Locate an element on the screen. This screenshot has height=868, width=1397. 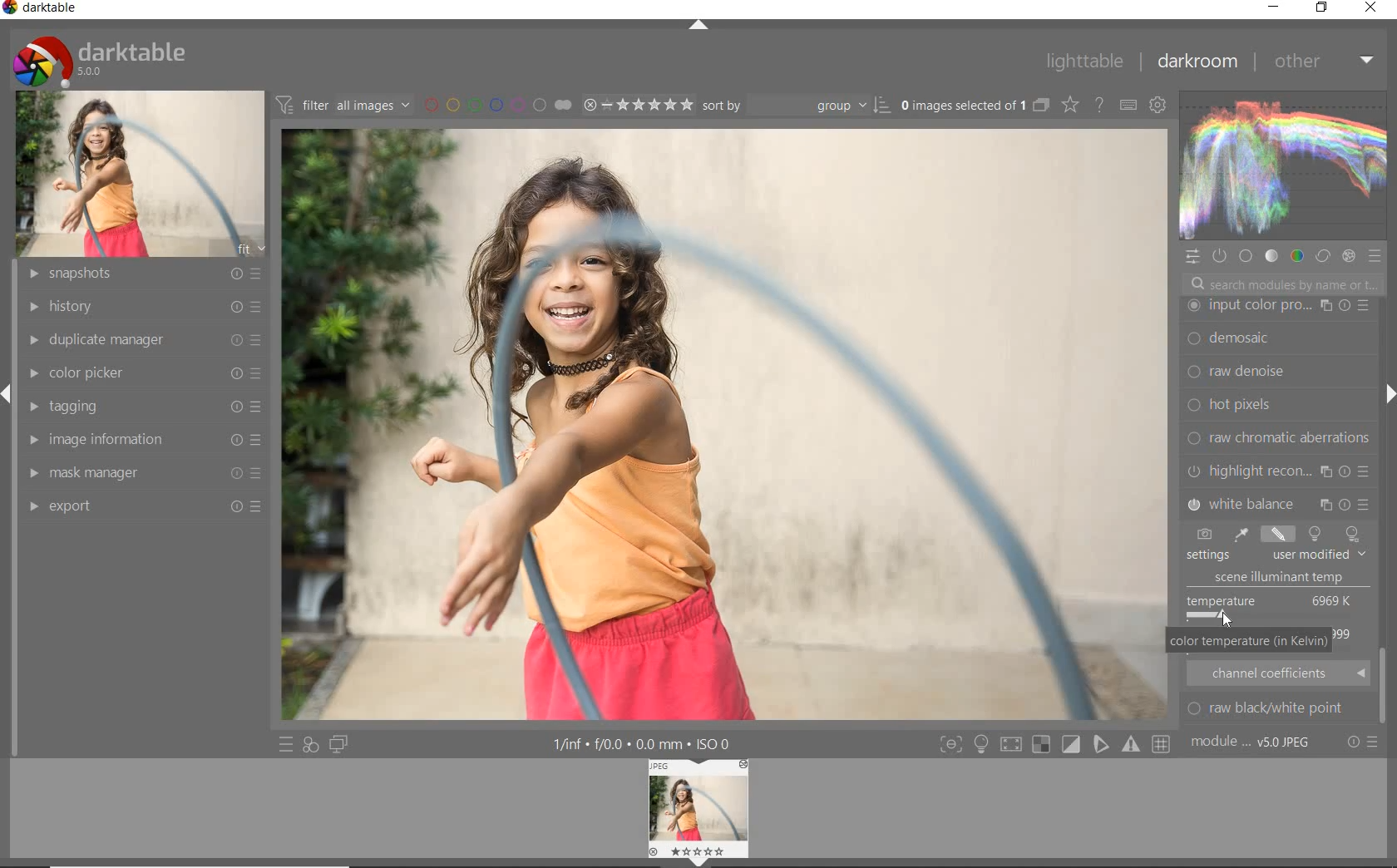
enable for online help is located at coordinates (1098, 105).